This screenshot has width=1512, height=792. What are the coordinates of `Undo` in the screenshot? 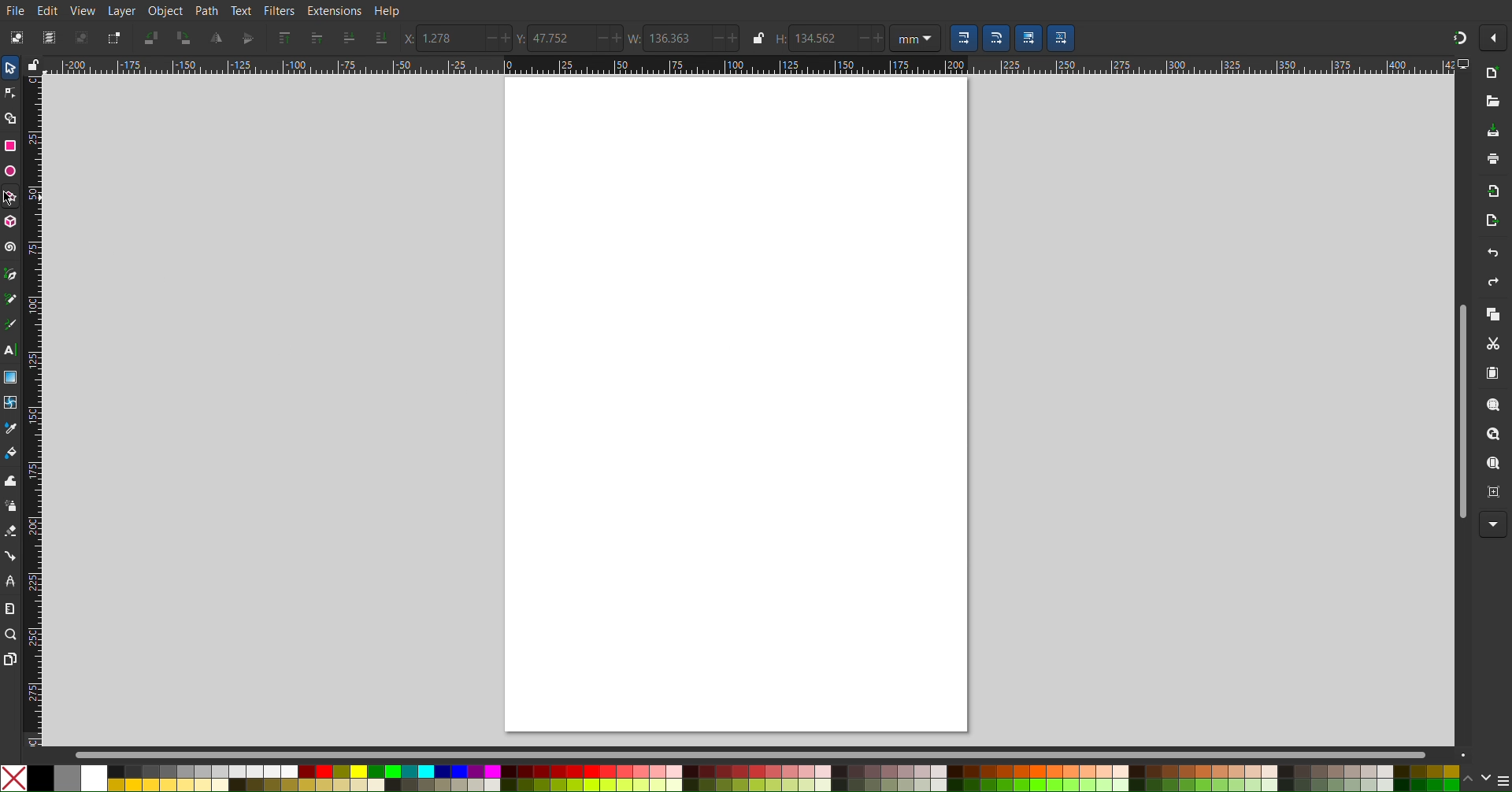 It's located at (1492, 254).